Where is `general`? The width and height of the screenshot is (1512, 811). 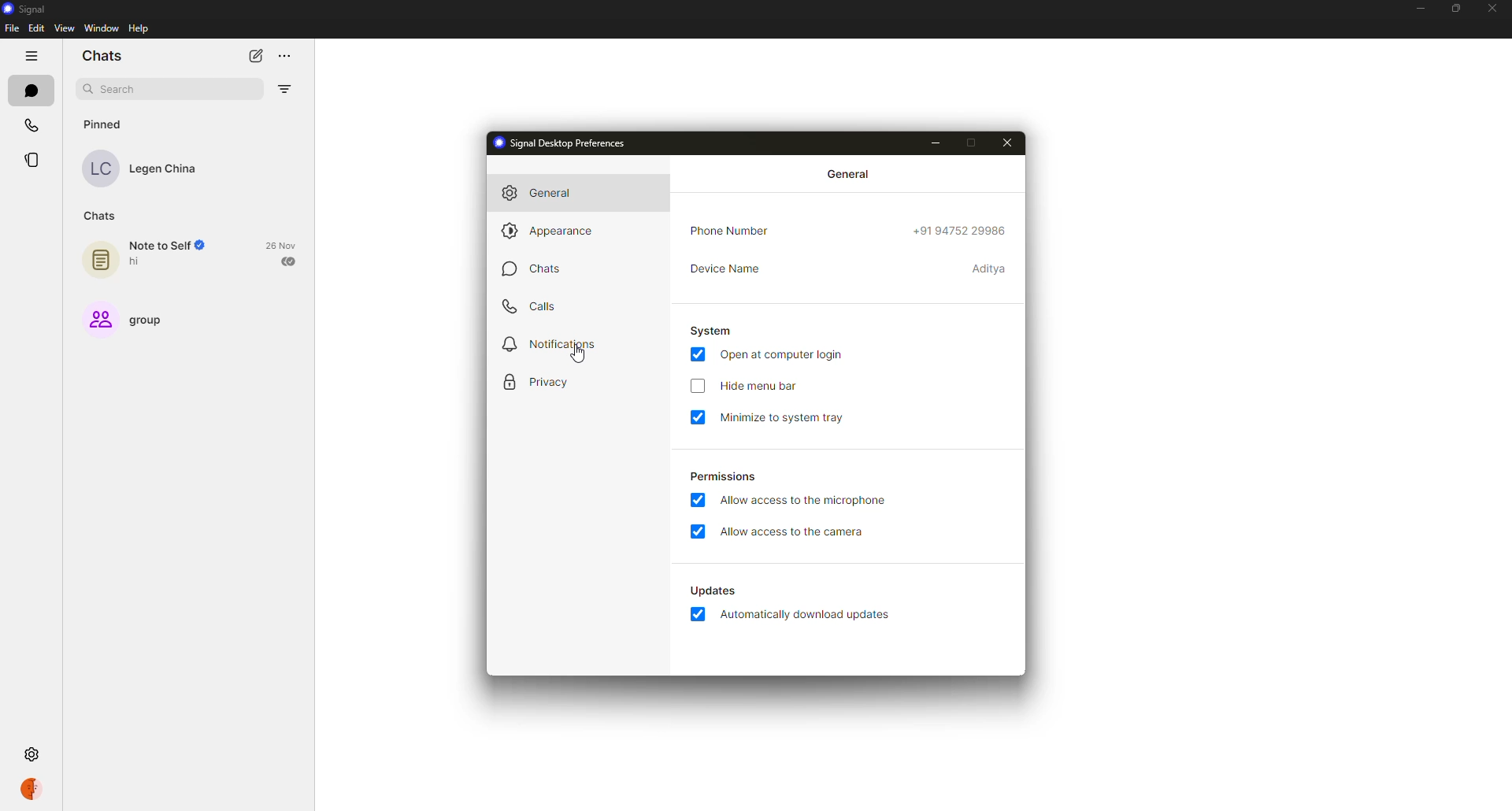
general is located at coordinates (548, 192).